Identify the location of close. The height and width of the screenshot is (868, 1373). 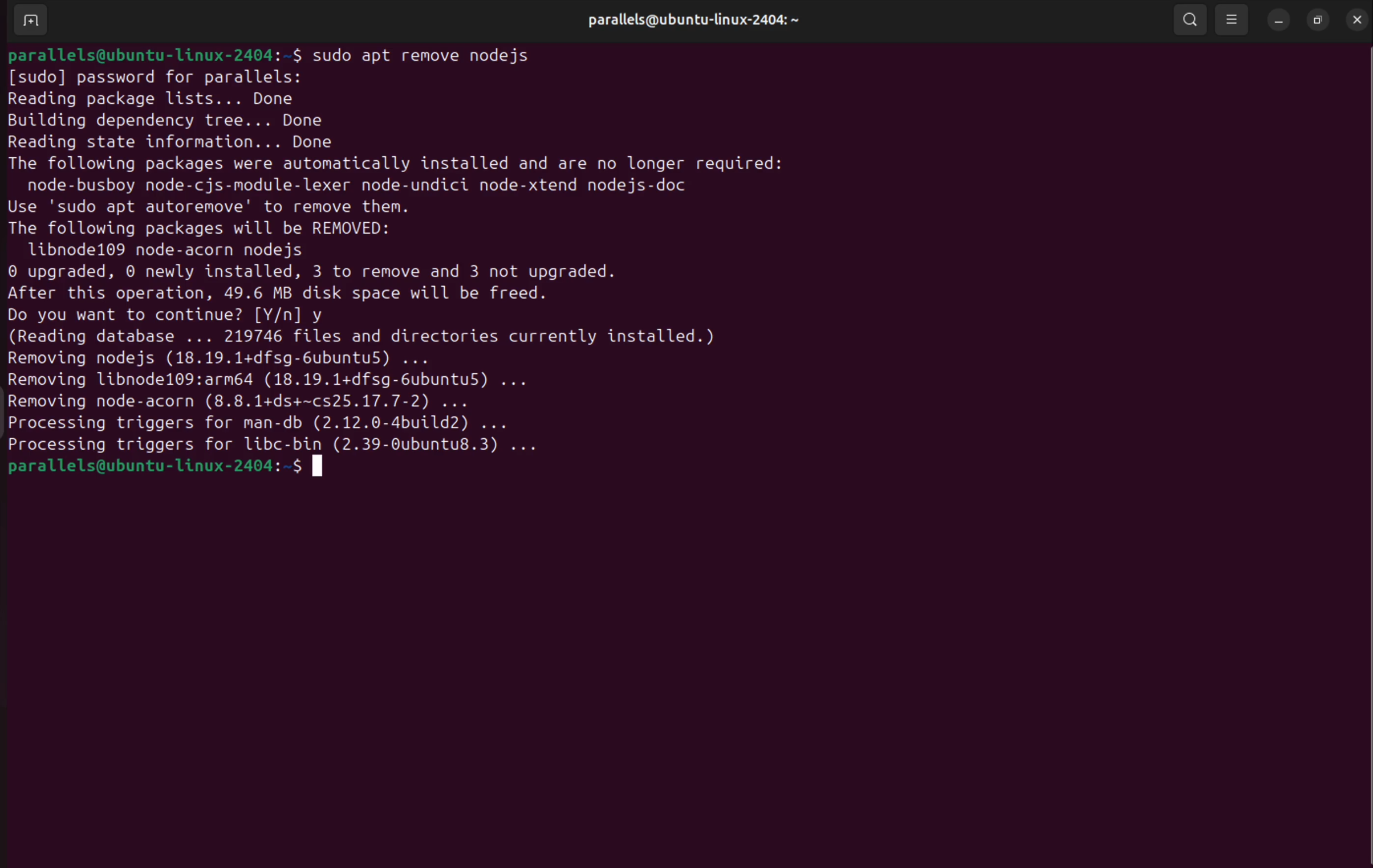
(1355, 19).